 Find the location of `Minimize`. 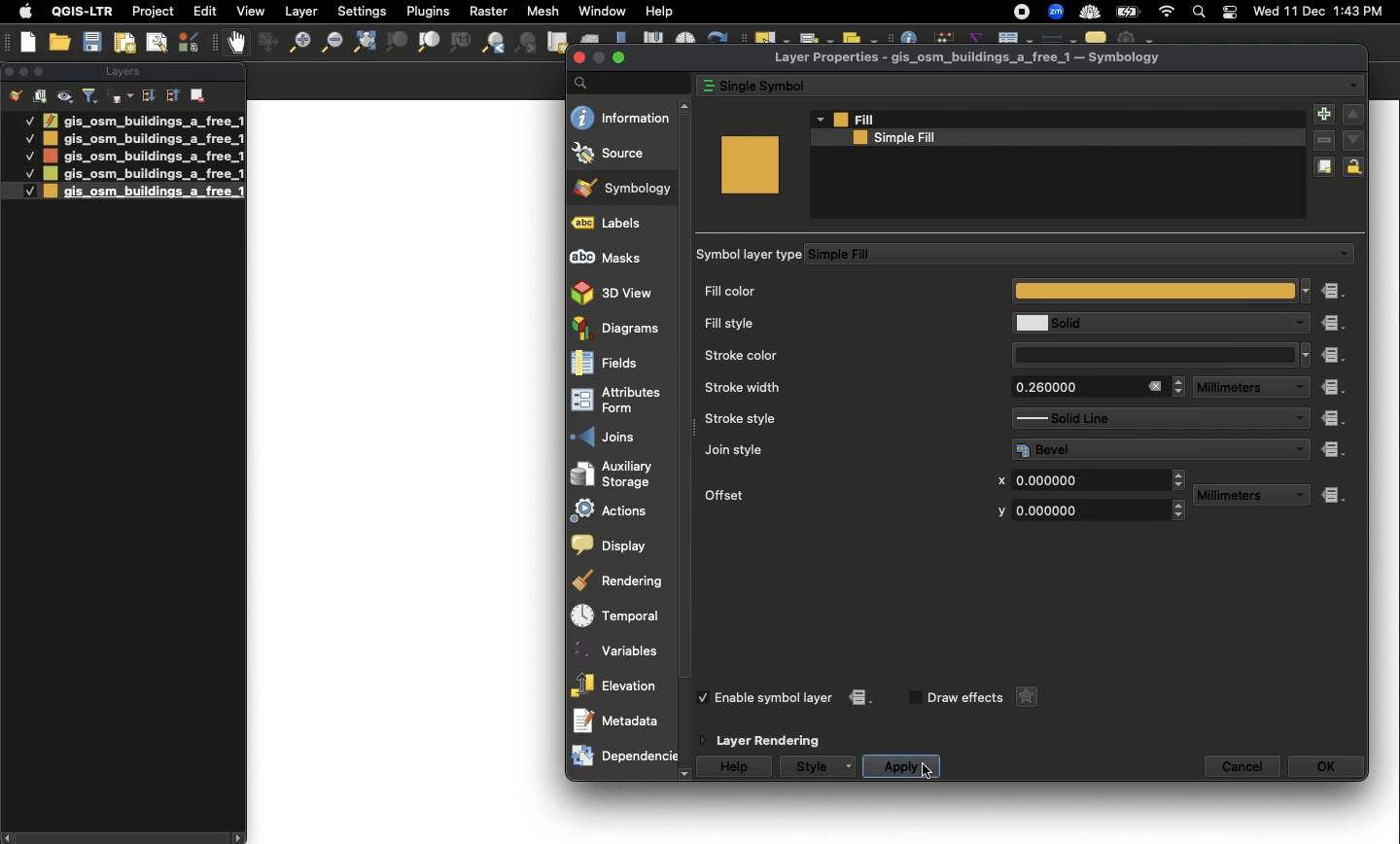

Minimize is located at coordinates (22, 70).